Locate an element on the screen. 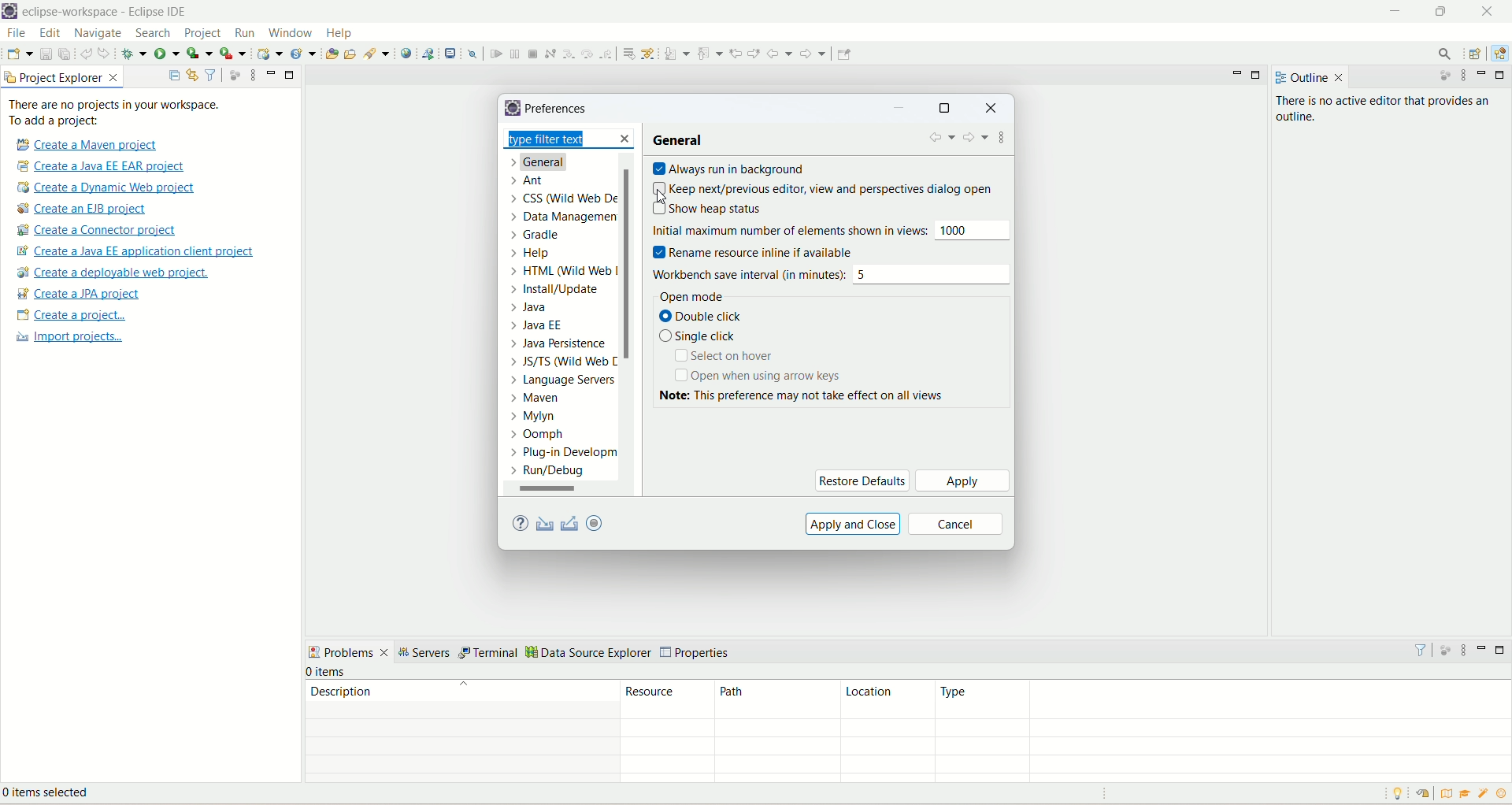  open web service is located at coordinates (406, 54).